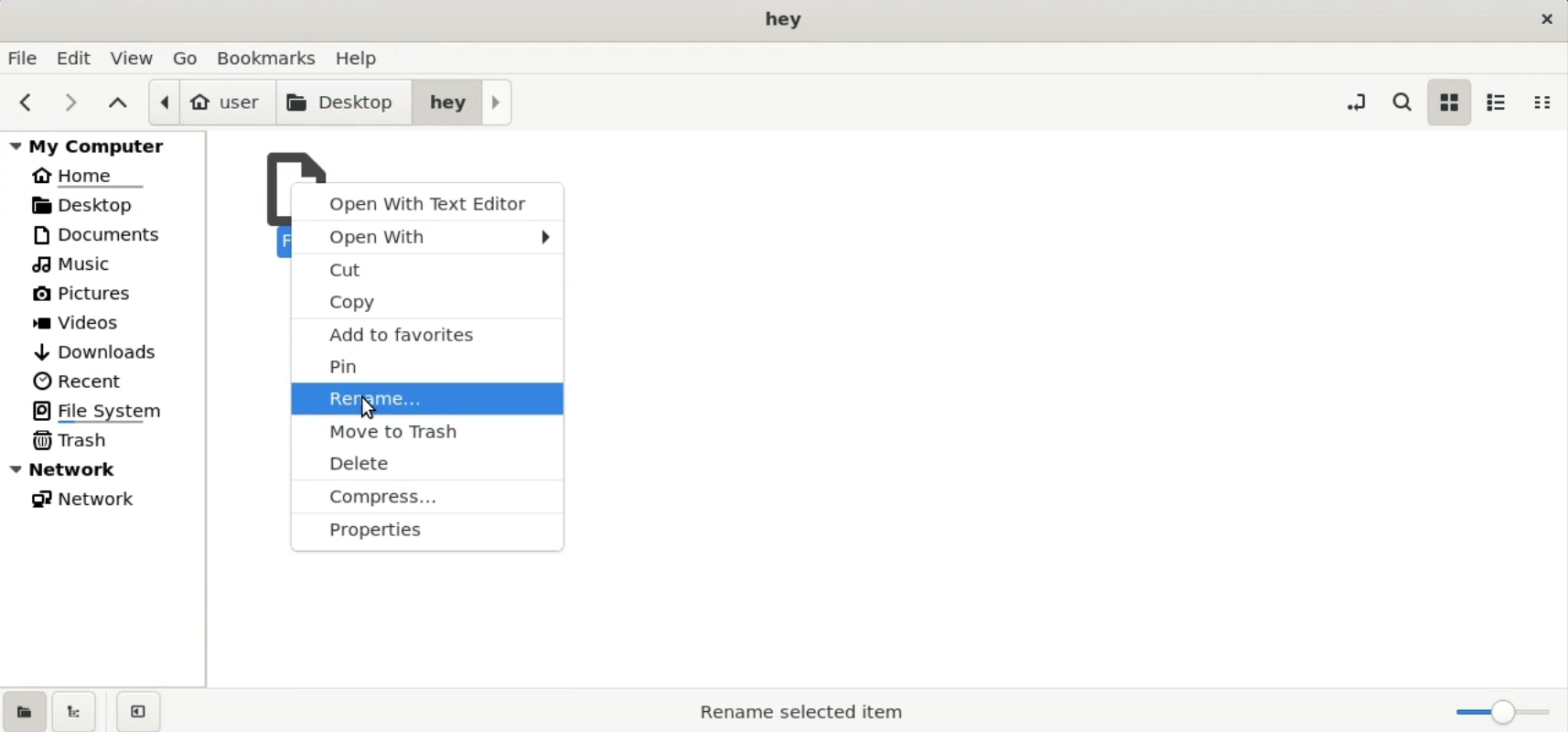  Describe the element at coordinates (429, 271) in the screenshot. I see `cut` at that location.